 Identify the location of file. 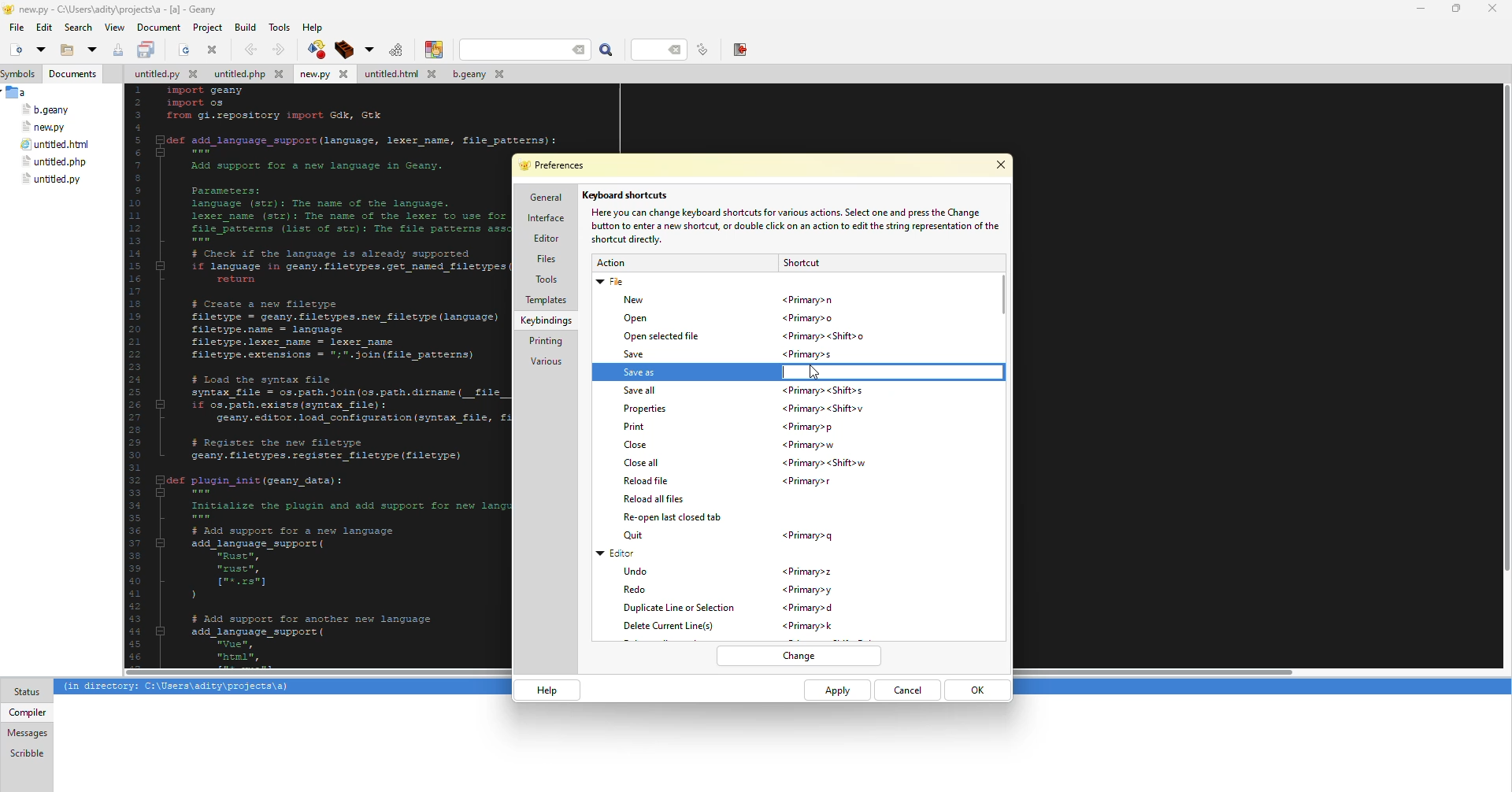
(164, 76).